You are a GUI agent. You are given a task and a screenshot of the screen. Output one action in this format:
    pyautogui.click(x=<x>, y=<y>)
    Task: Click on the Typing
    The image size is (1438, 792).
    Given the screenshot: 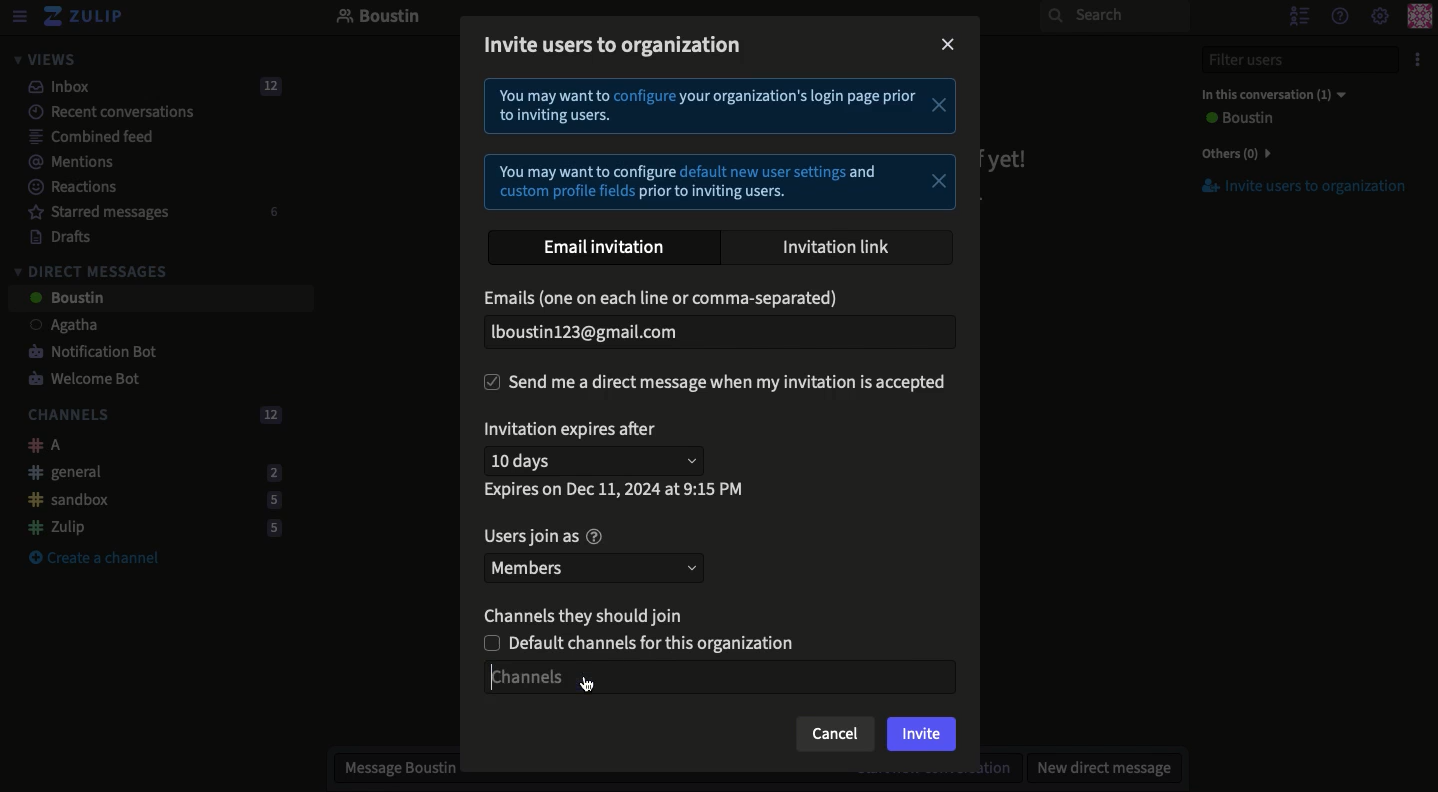 What is the action you would take?
    pyautogui.click(x=724, y=675)
    